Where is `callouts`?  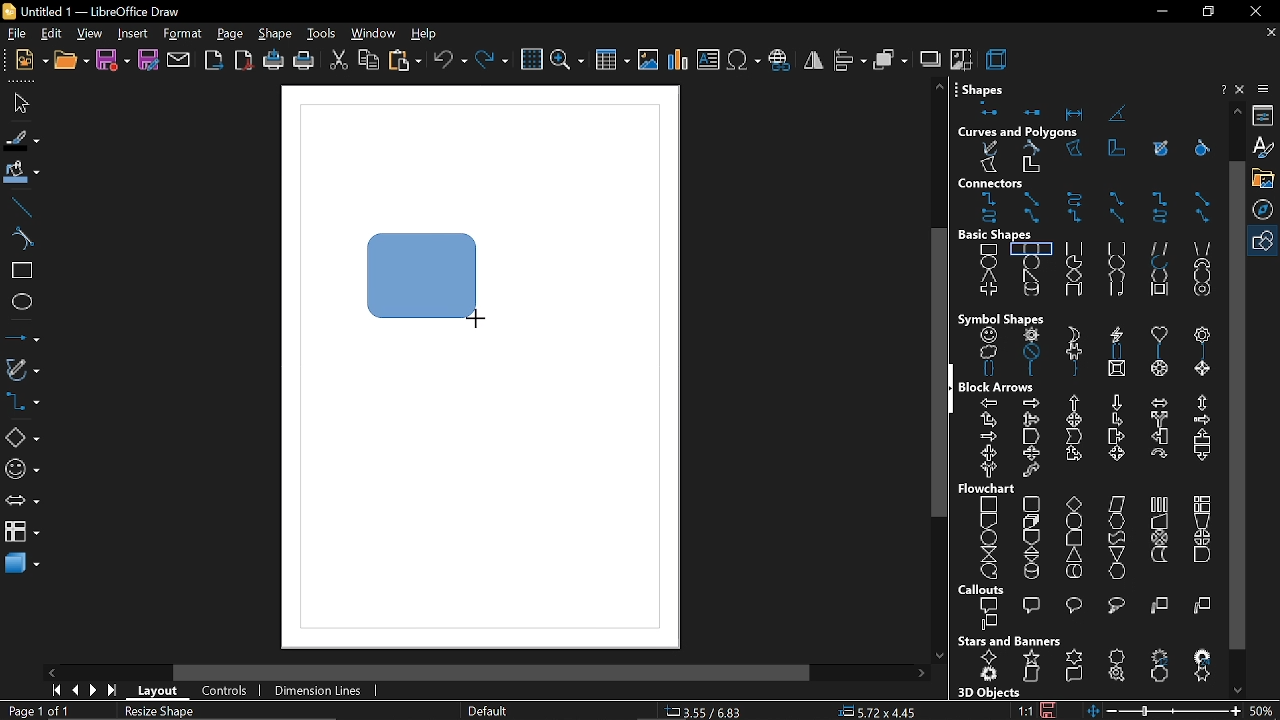 callouts is located at coordinates (985, 590).